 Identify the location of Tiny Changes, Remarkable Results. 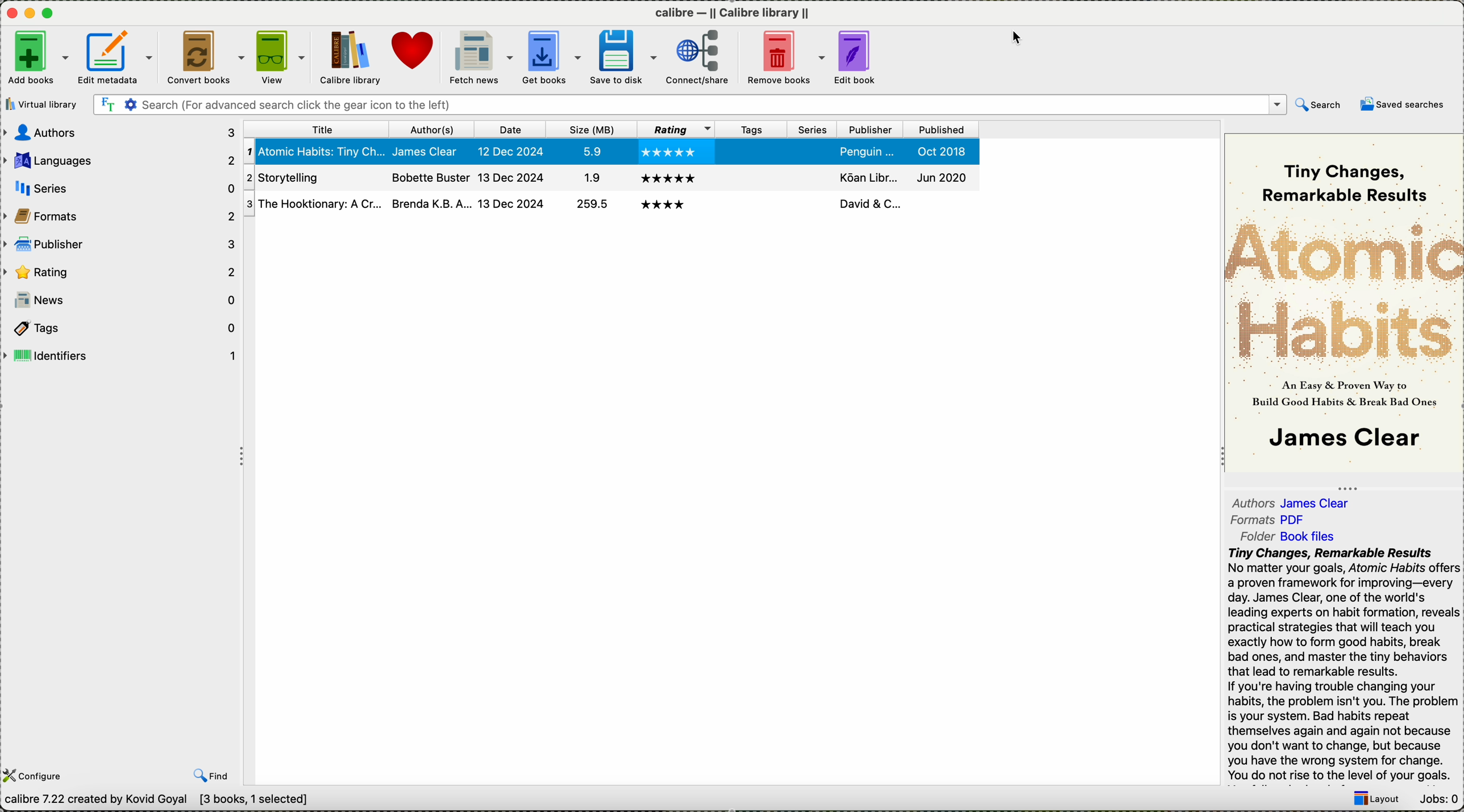
(1350, 174).